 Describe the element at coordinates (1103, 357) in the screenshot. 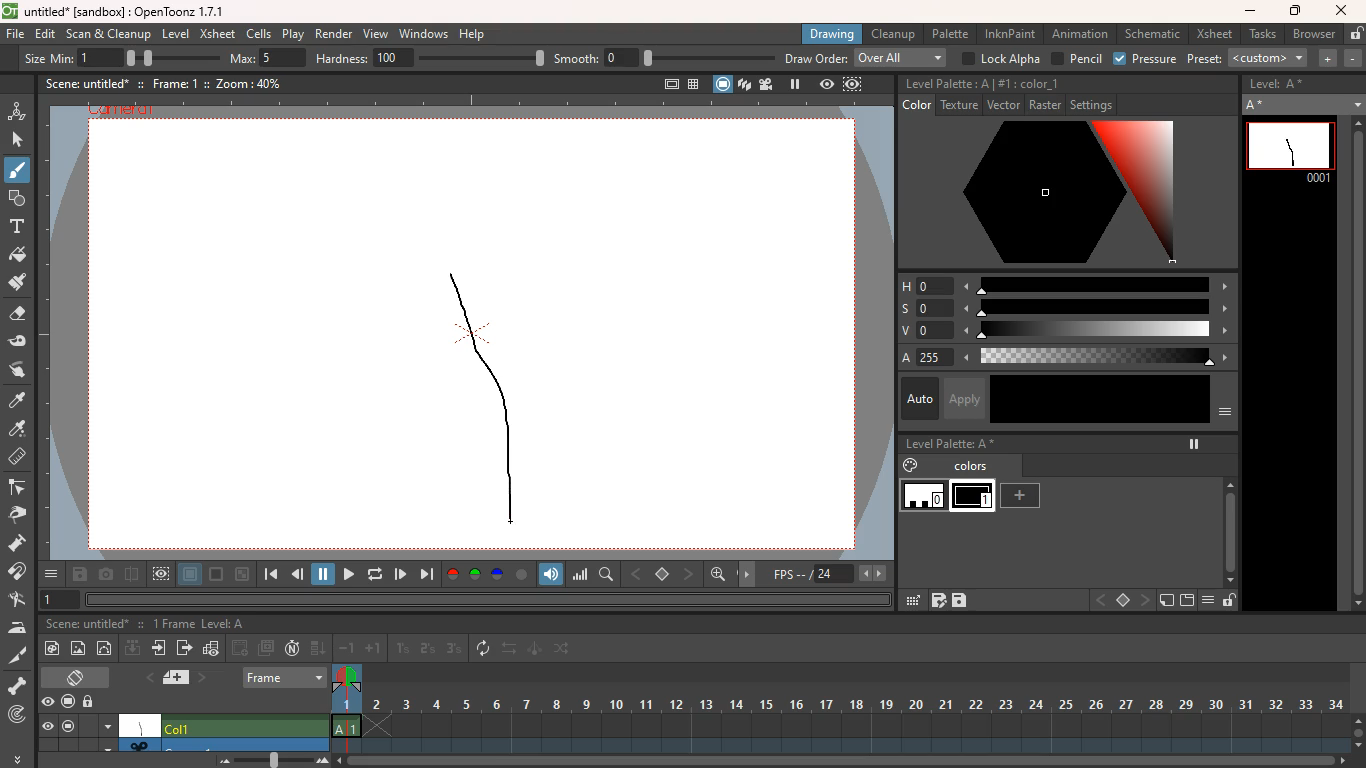

I see `scale` at that location.